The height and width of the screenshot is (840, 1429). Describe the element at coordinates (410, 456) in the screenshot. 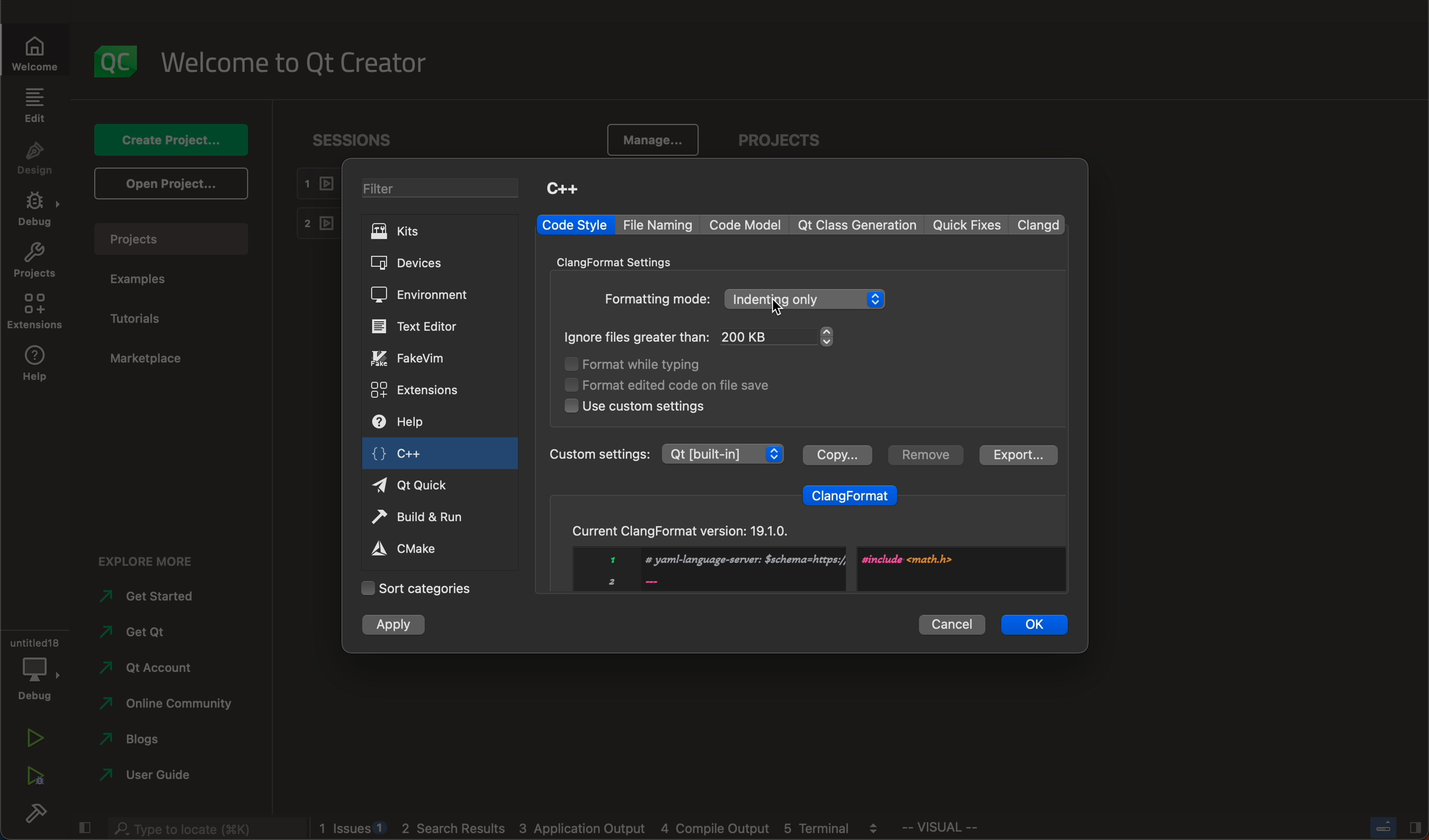

I see `c++` at that location.